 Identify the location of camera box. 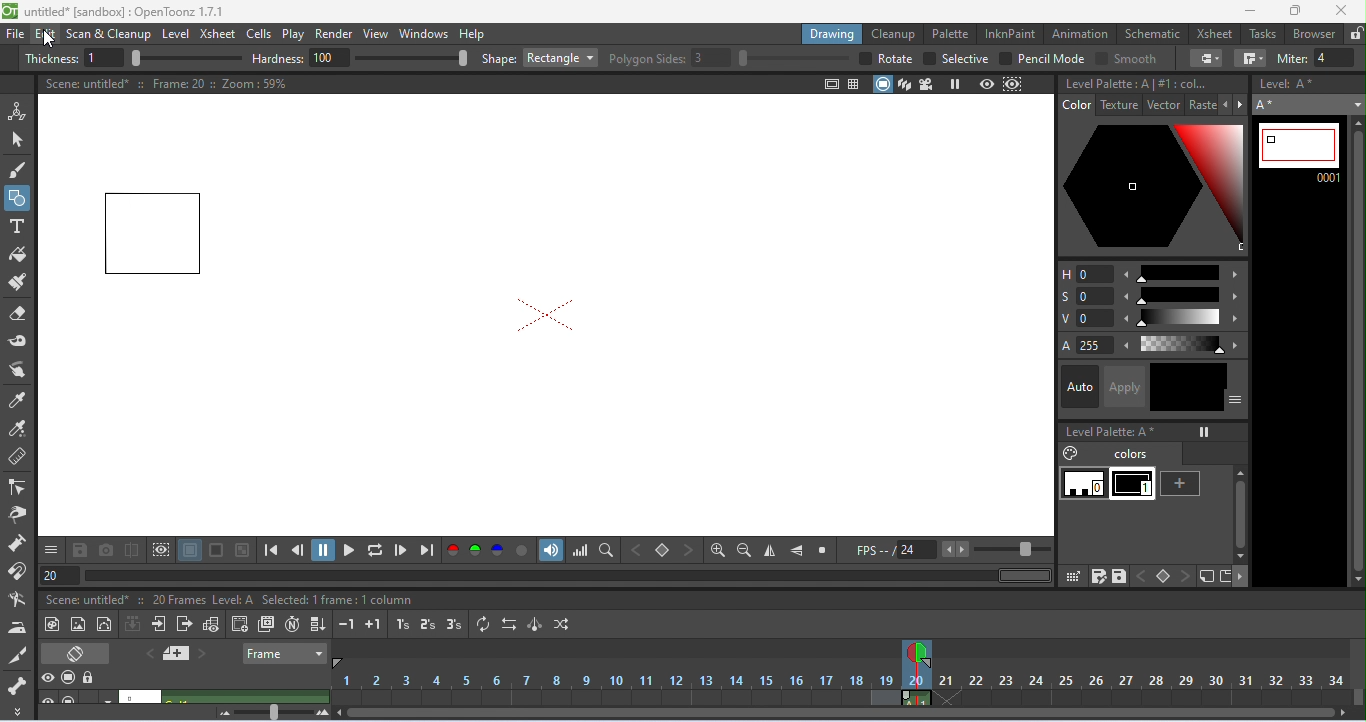
(546, 315).